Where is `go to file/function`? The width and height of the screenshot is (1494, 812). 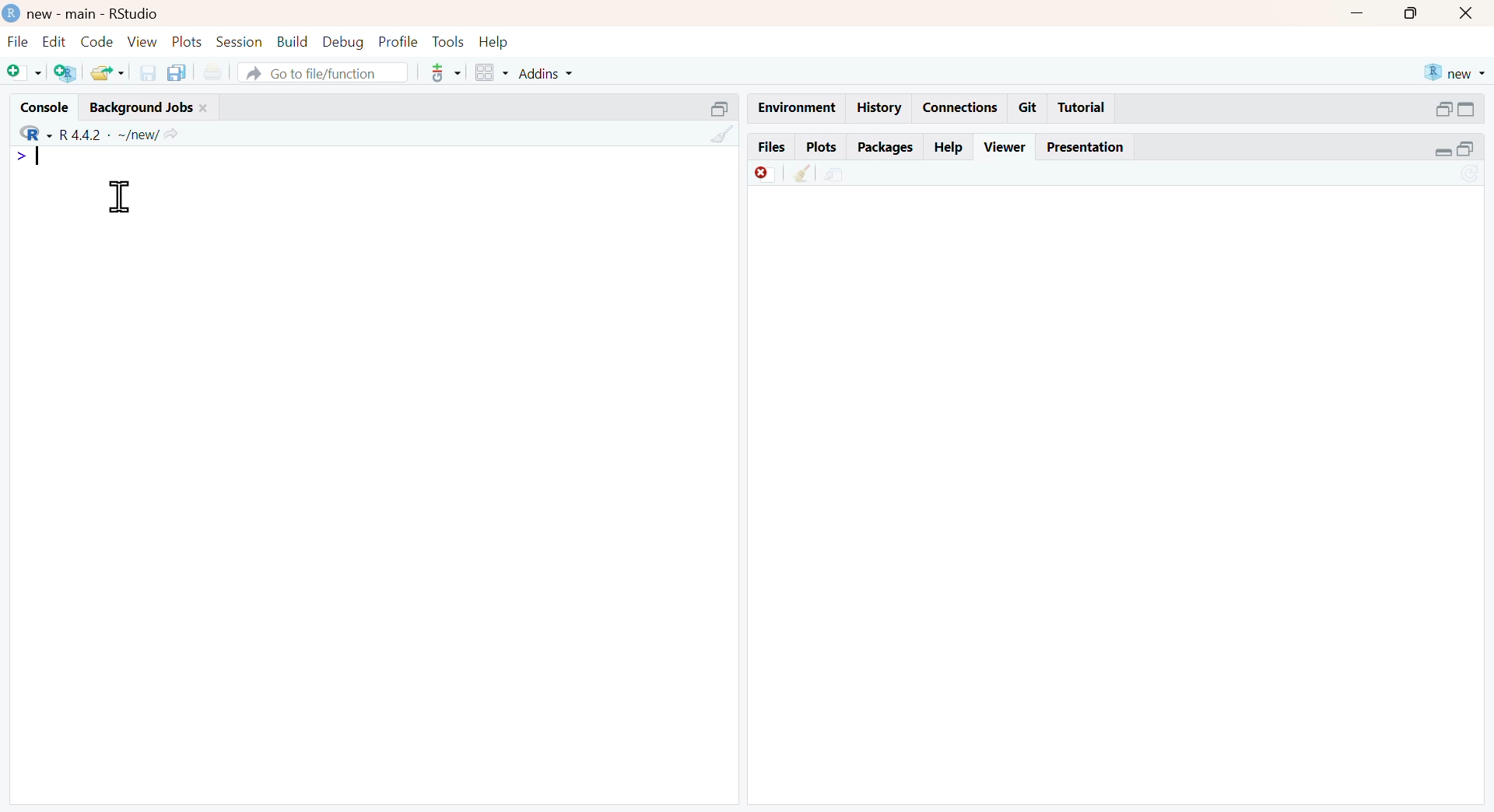
go to file/function is located at coordinates (324, 72).